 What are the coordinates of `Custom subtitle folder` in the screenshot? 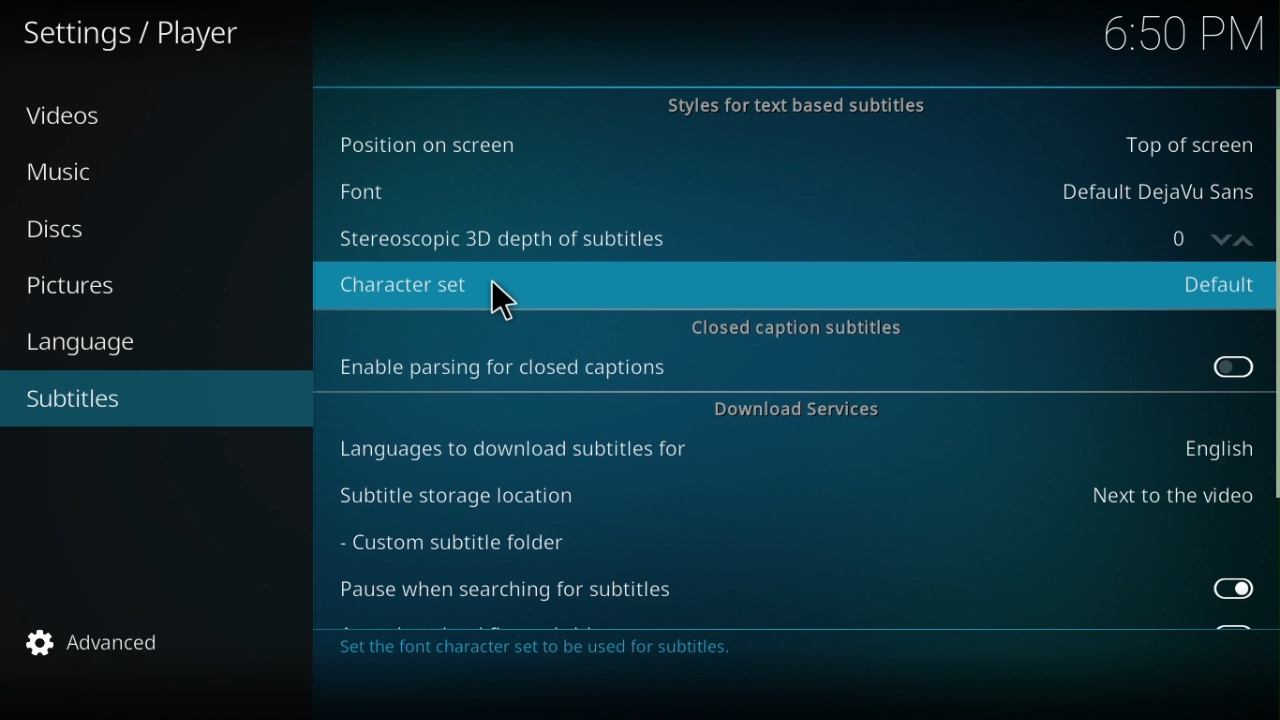 It's located at (479, 545).